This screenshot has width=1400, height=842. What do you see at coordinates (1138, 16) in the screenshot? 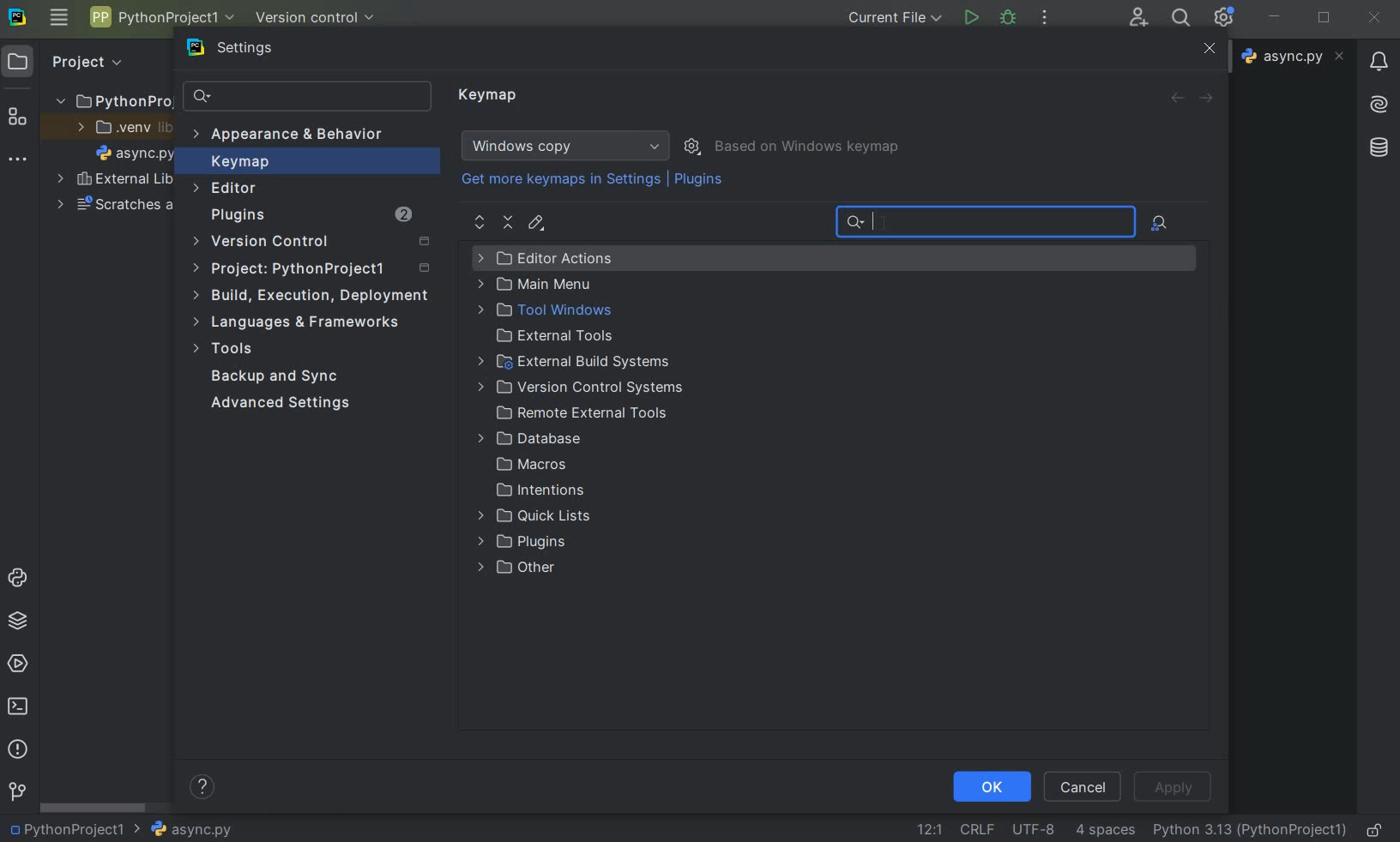
I see `code with me` at bounding box center [1138, 16].